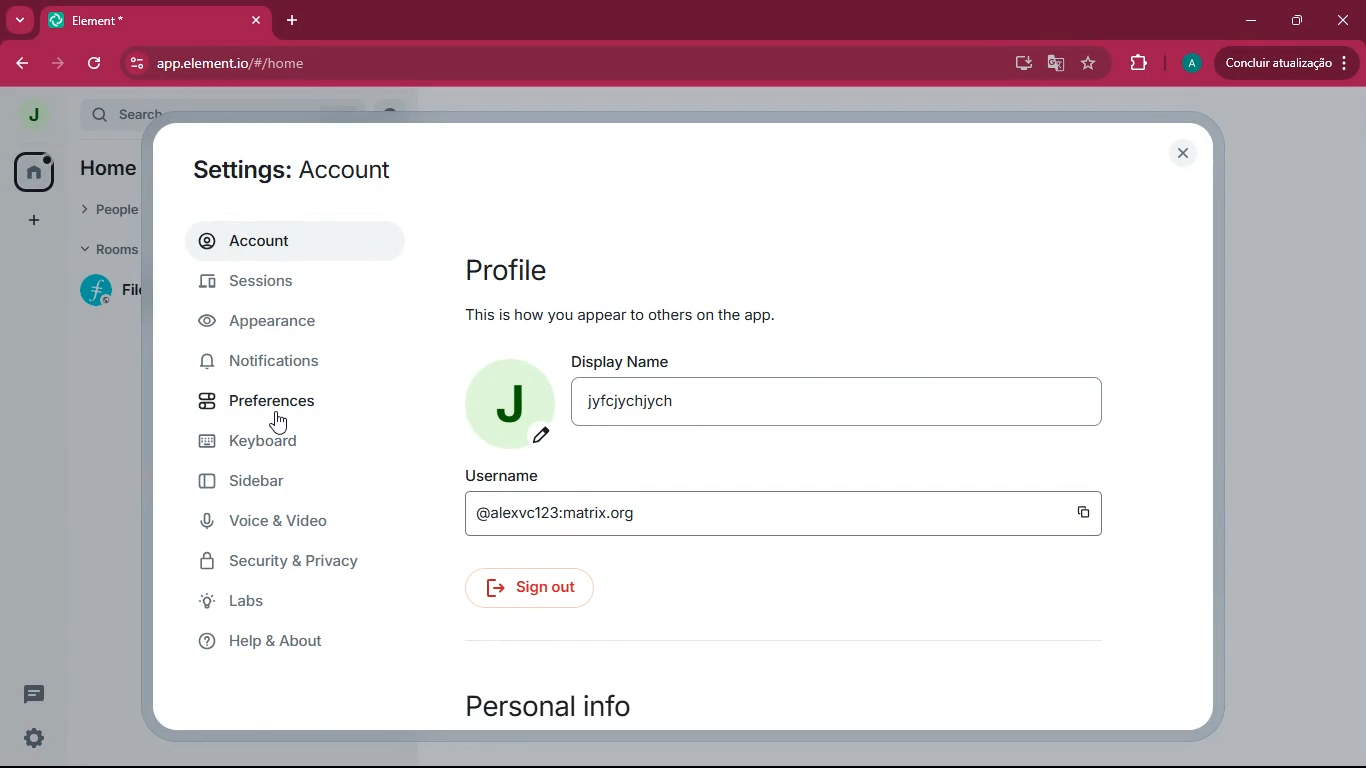 The height and width of the screenshot is (768, 1366). What do you see at coordinates (282, 601) in the screenshot?
I see `Labs` at bounding box center [282, 601].